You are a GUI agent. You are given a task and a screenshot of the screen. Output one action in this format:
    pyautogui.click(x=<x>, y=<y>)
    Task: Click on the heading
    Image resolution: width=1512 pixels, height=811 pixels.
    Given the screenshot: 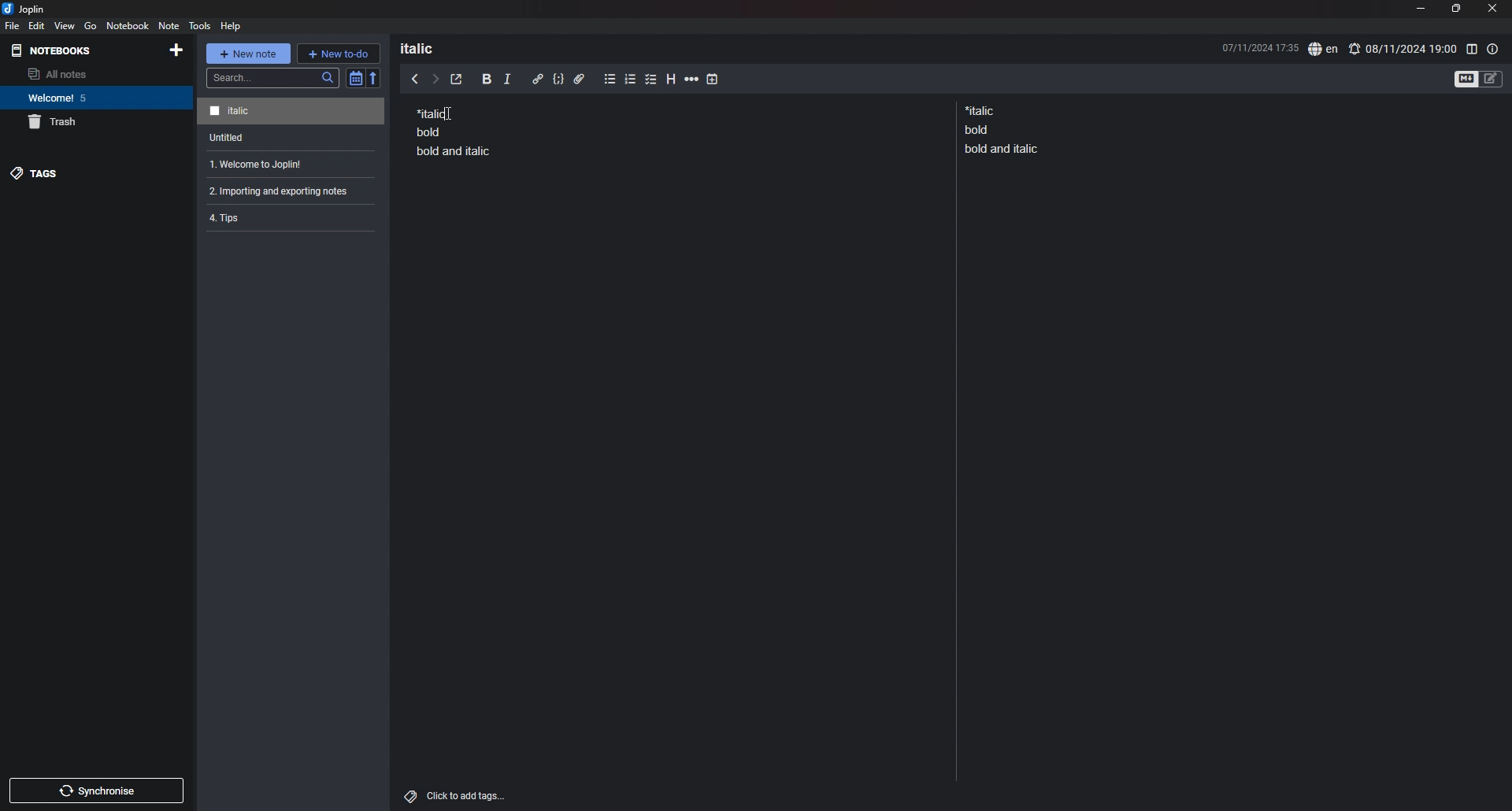 What is the action you would take?
    pyautogui.click(x=427, y=48)
    